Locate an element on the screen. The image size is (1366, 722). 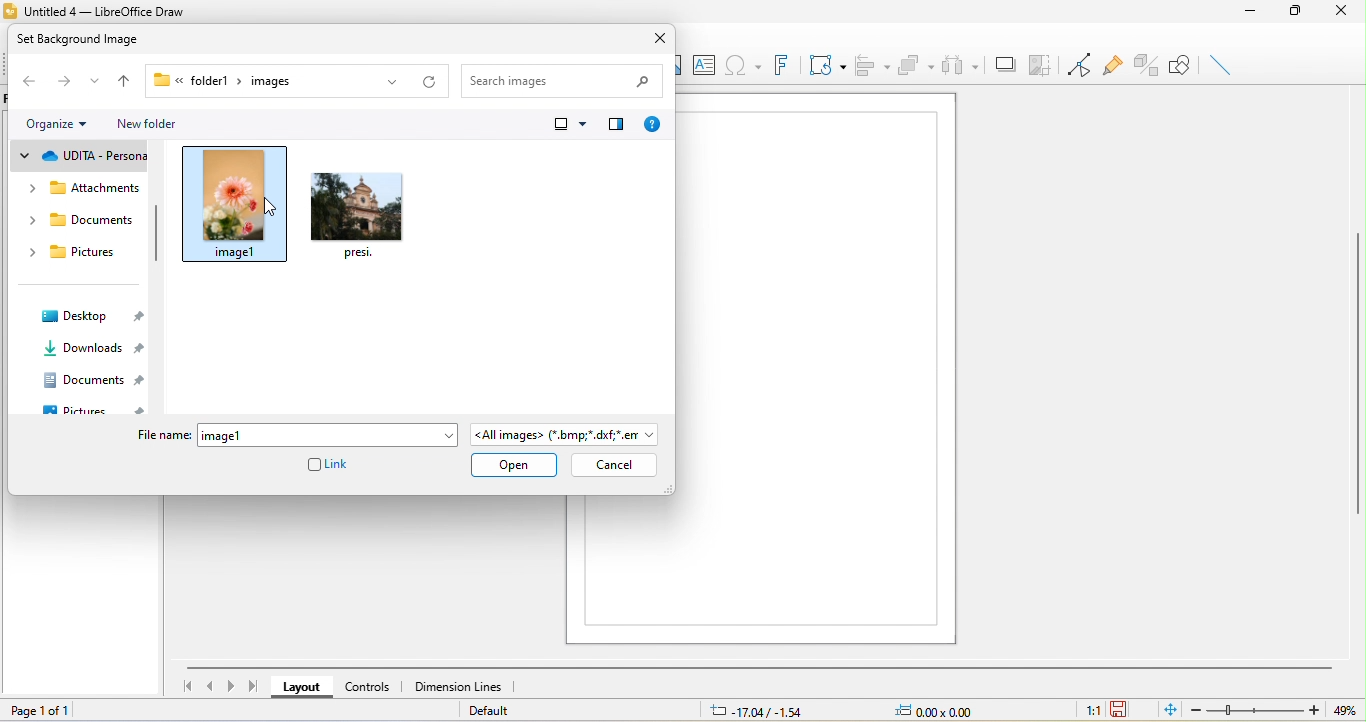
the document has not been modified since the last save is located at coordinates (1130, 709).